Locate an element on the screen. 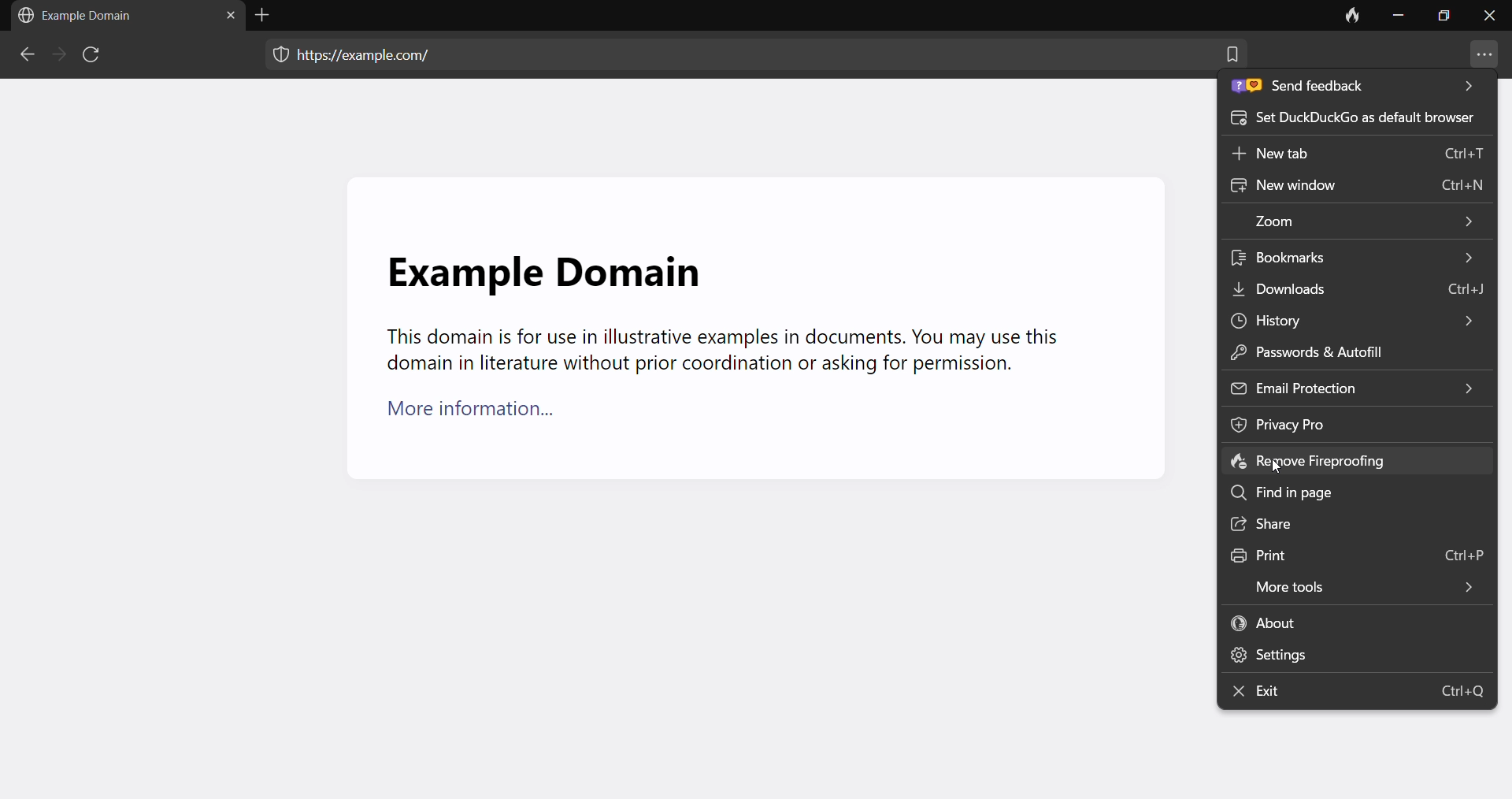 Image resolution: width=1512 pixels, height=799 pixels. more tools is located at coordinates (1355, 584).